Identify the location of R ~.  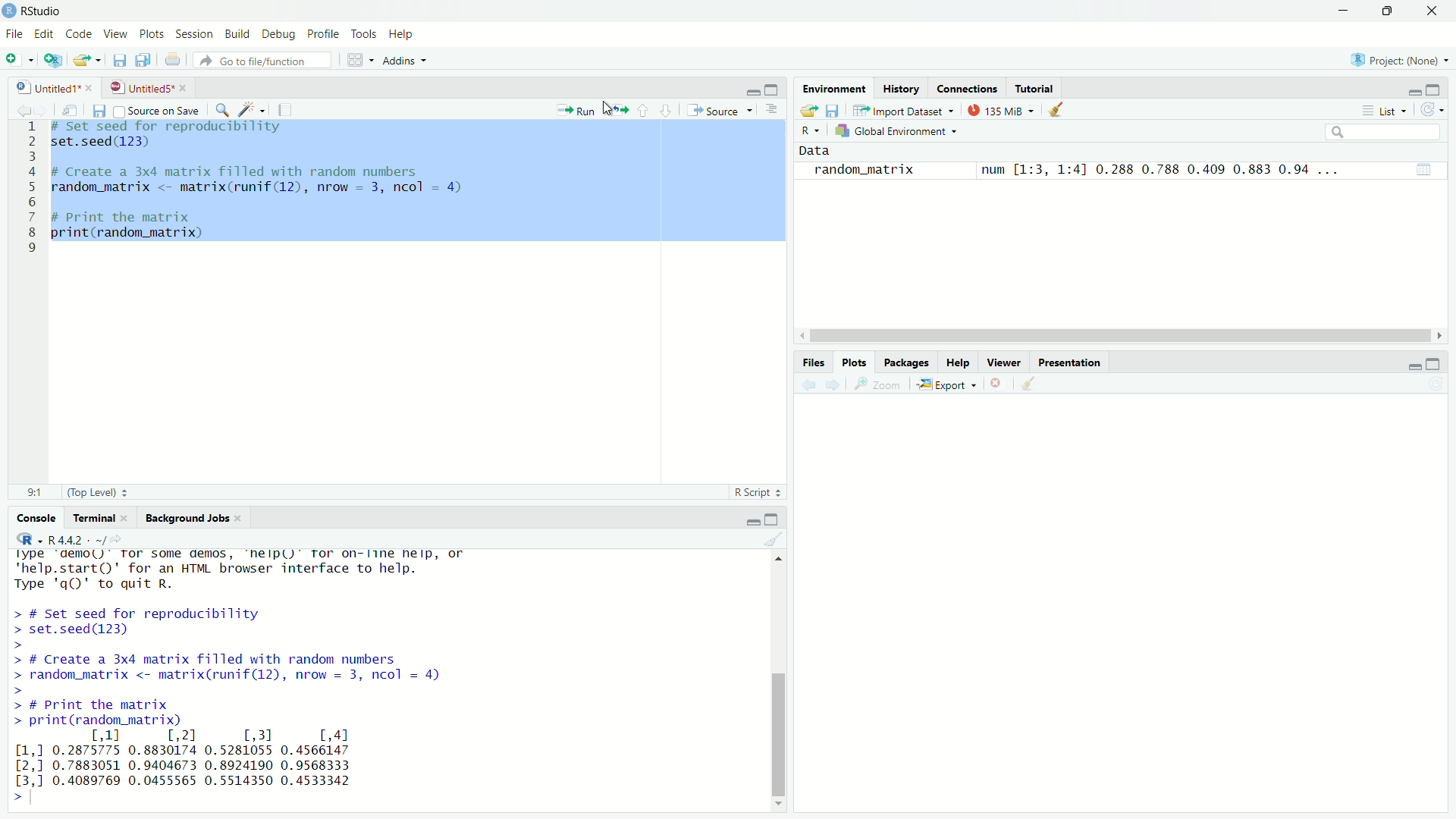
(809, 128).